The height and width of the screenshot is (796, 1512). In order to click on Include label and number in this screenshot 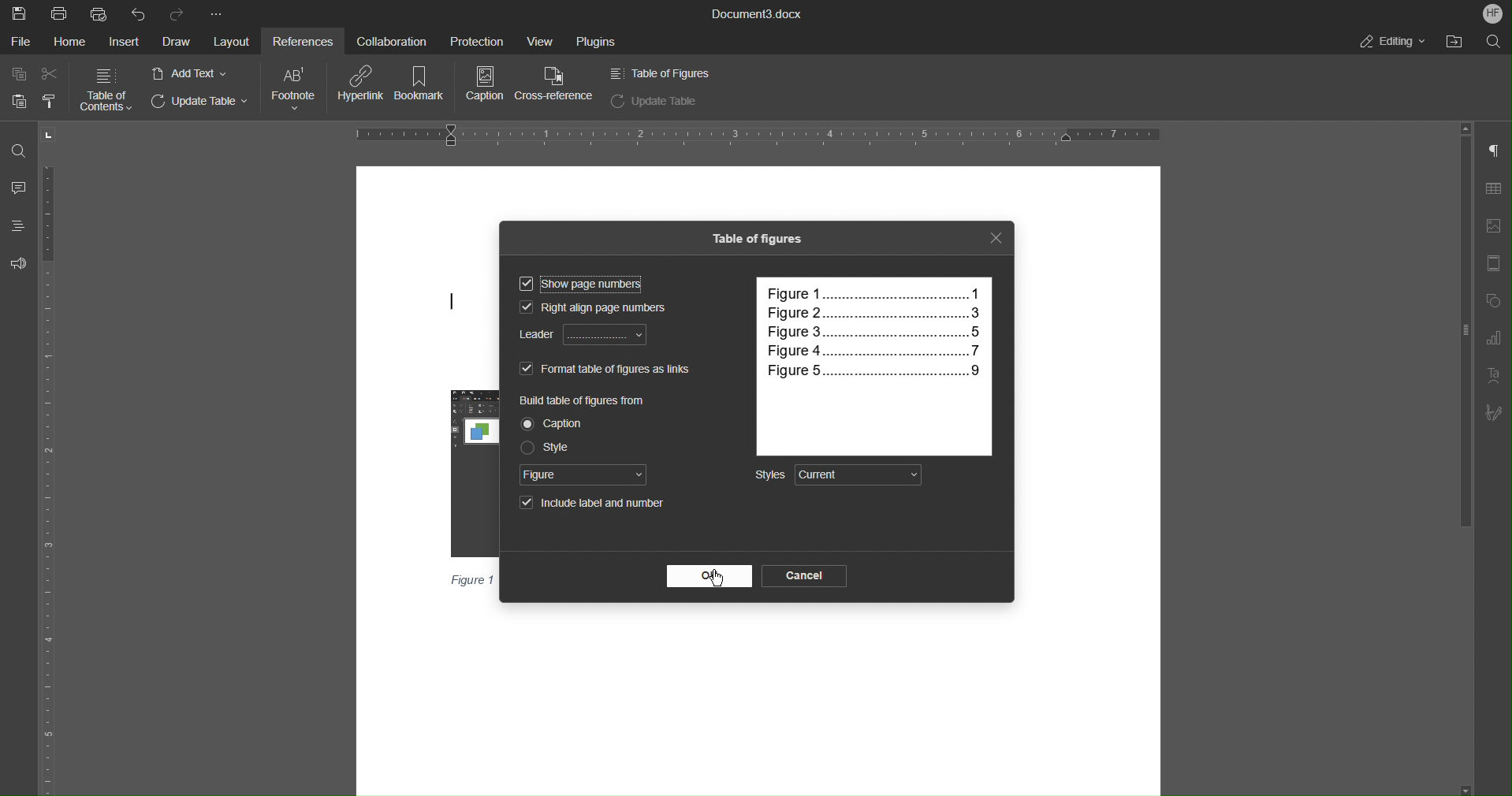, I will do `click(590, 505)`.